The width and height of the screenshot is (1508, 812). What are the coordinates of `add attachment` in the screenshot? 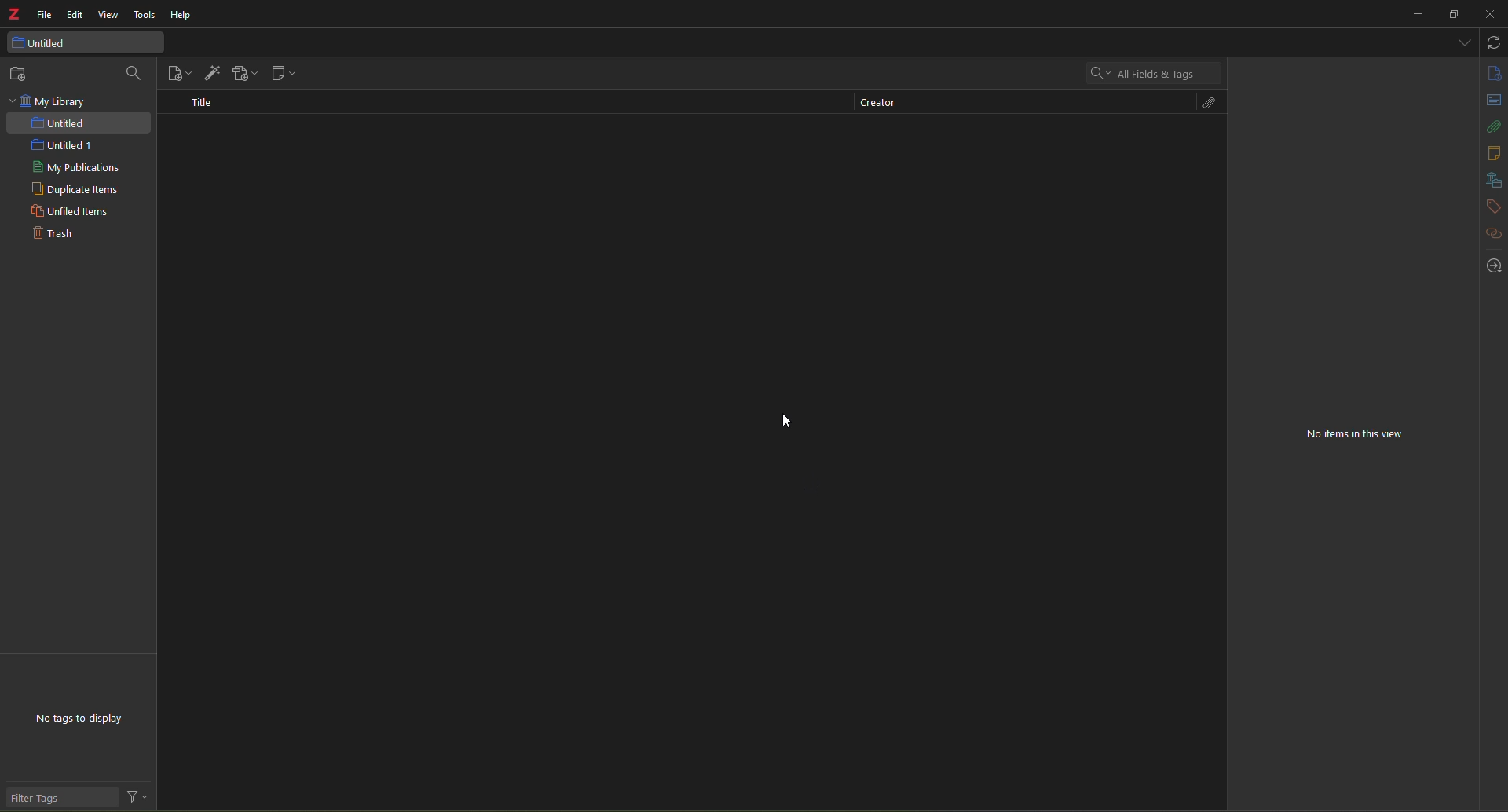 It's located at (243, 74).